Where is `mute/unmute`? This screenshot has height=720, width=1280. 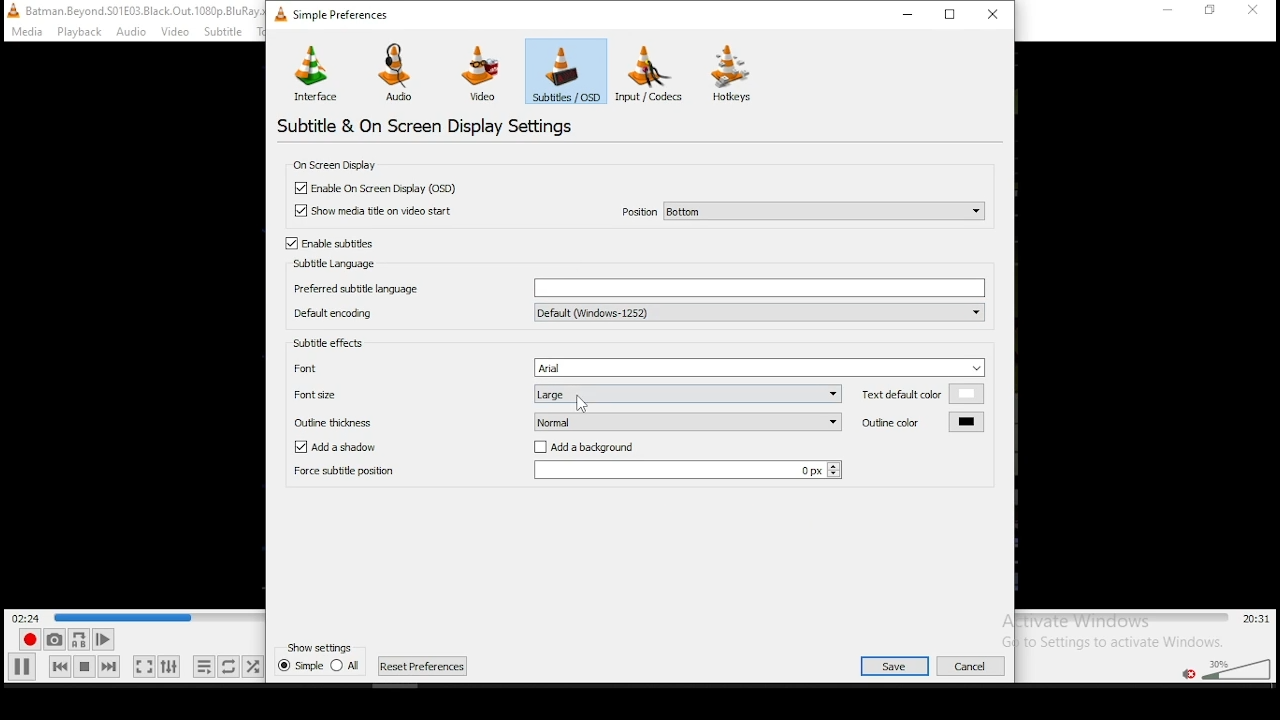 mute/unmute is located at coordinates (1190, 674).